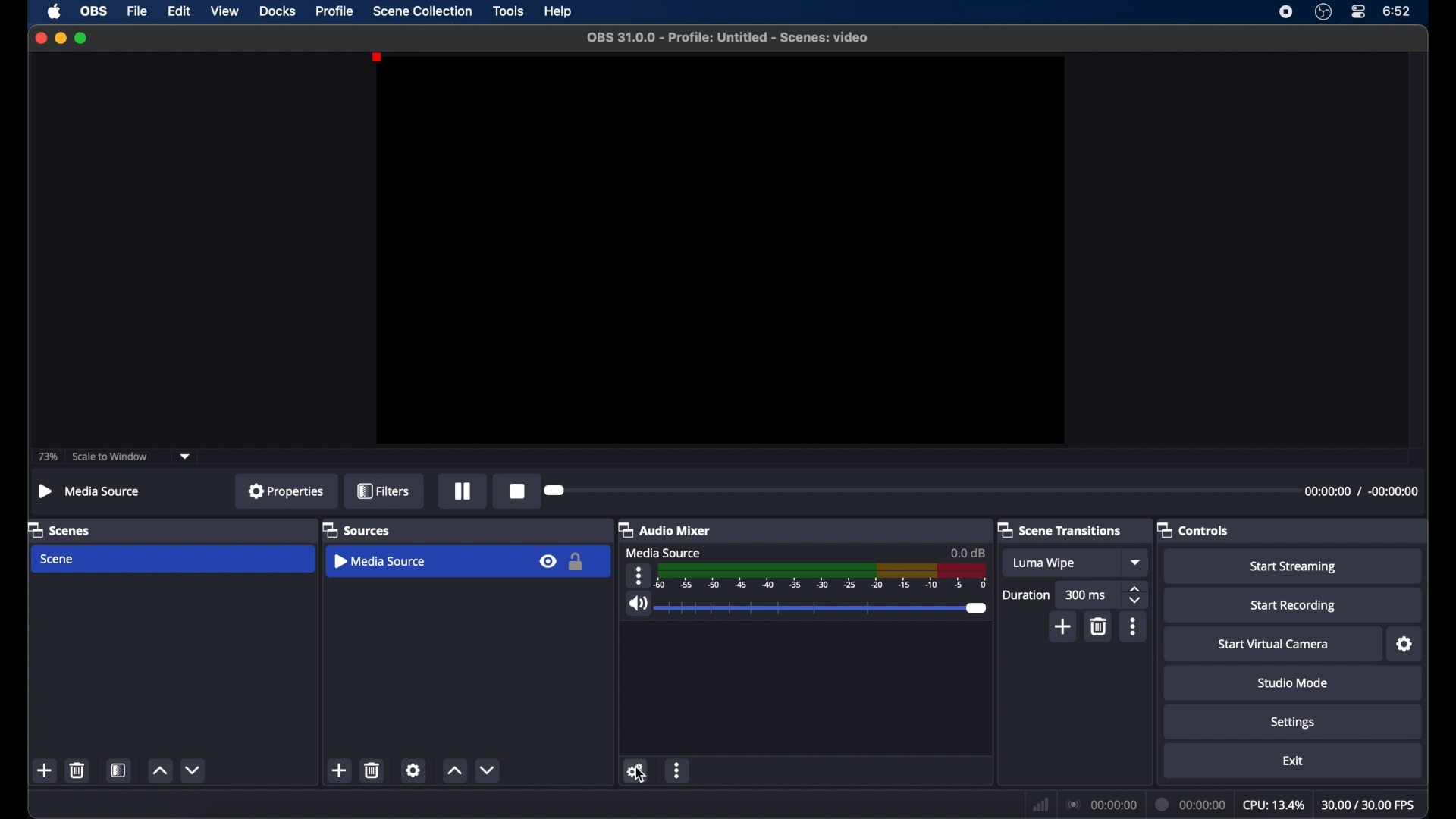 Image resolution: width=1456 pixels, height=819 pixels. What do you see at coordinates (340, 770) in the screenshot?
I see `add` at bounding box center [340, 770].